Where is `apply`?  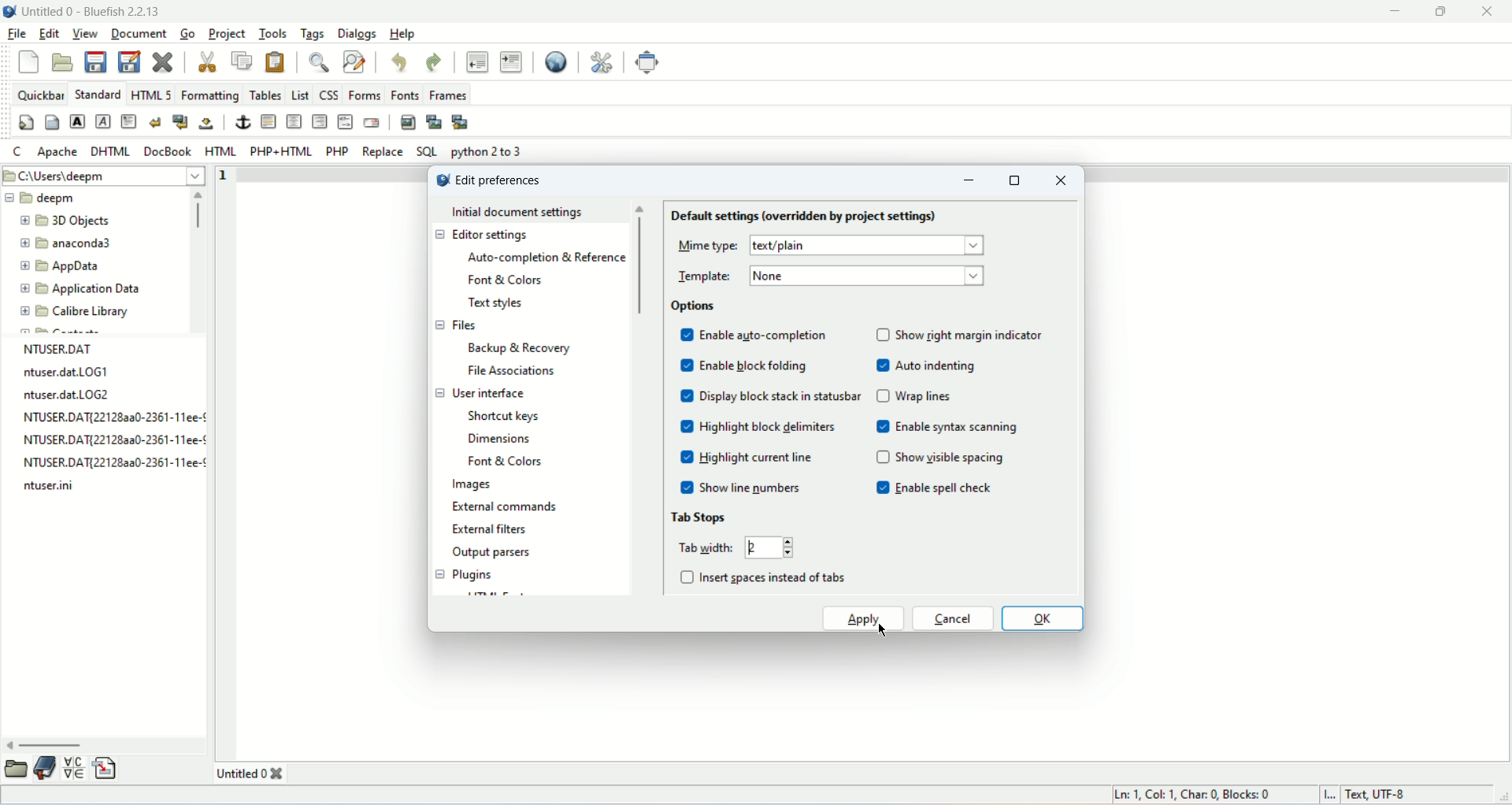
apply is located at coordinates (863, 620).